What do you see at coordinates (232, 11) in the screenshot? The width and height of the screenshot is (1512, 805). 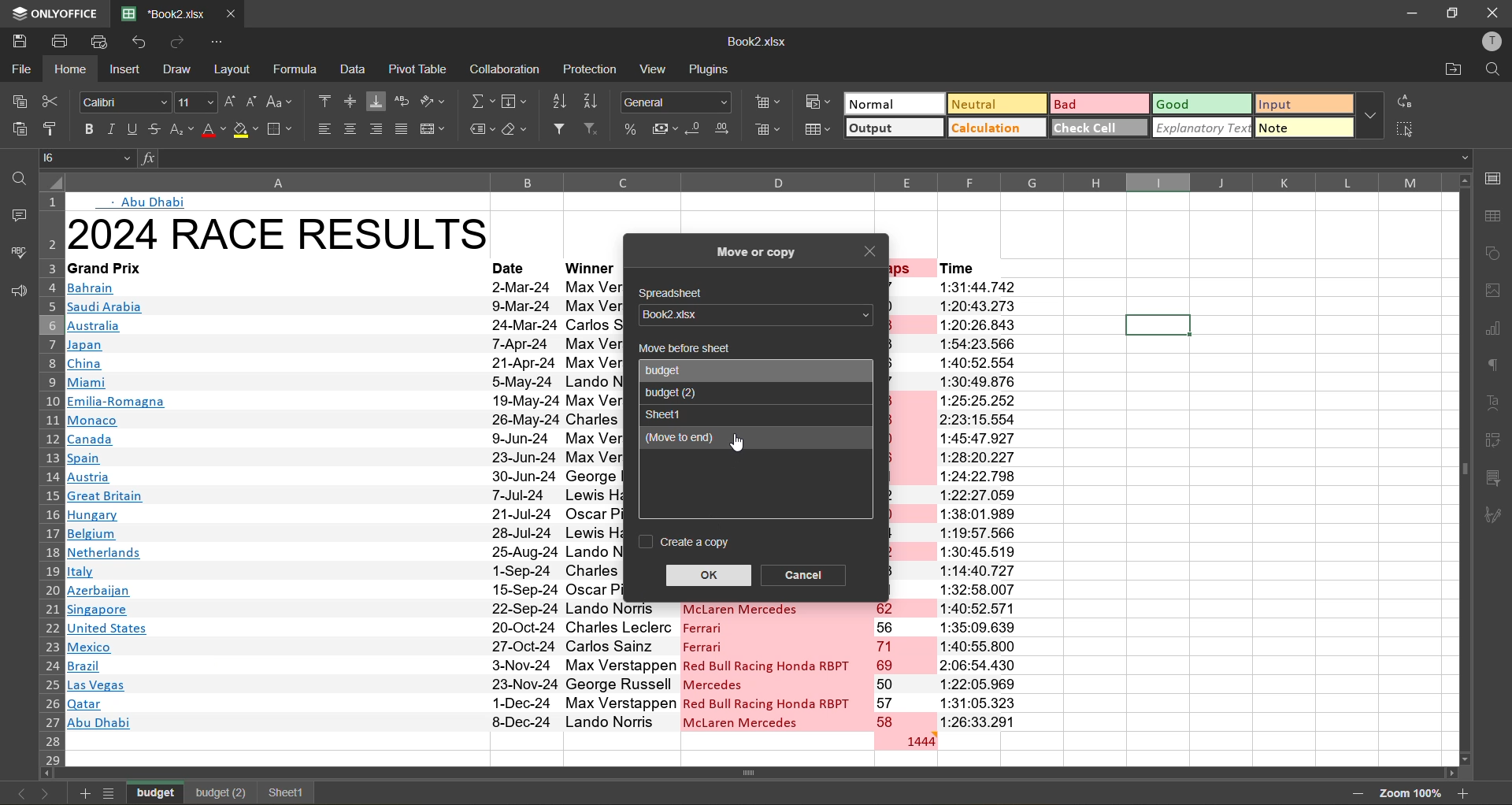 I see `close tab` at bounding box center [232, 11].